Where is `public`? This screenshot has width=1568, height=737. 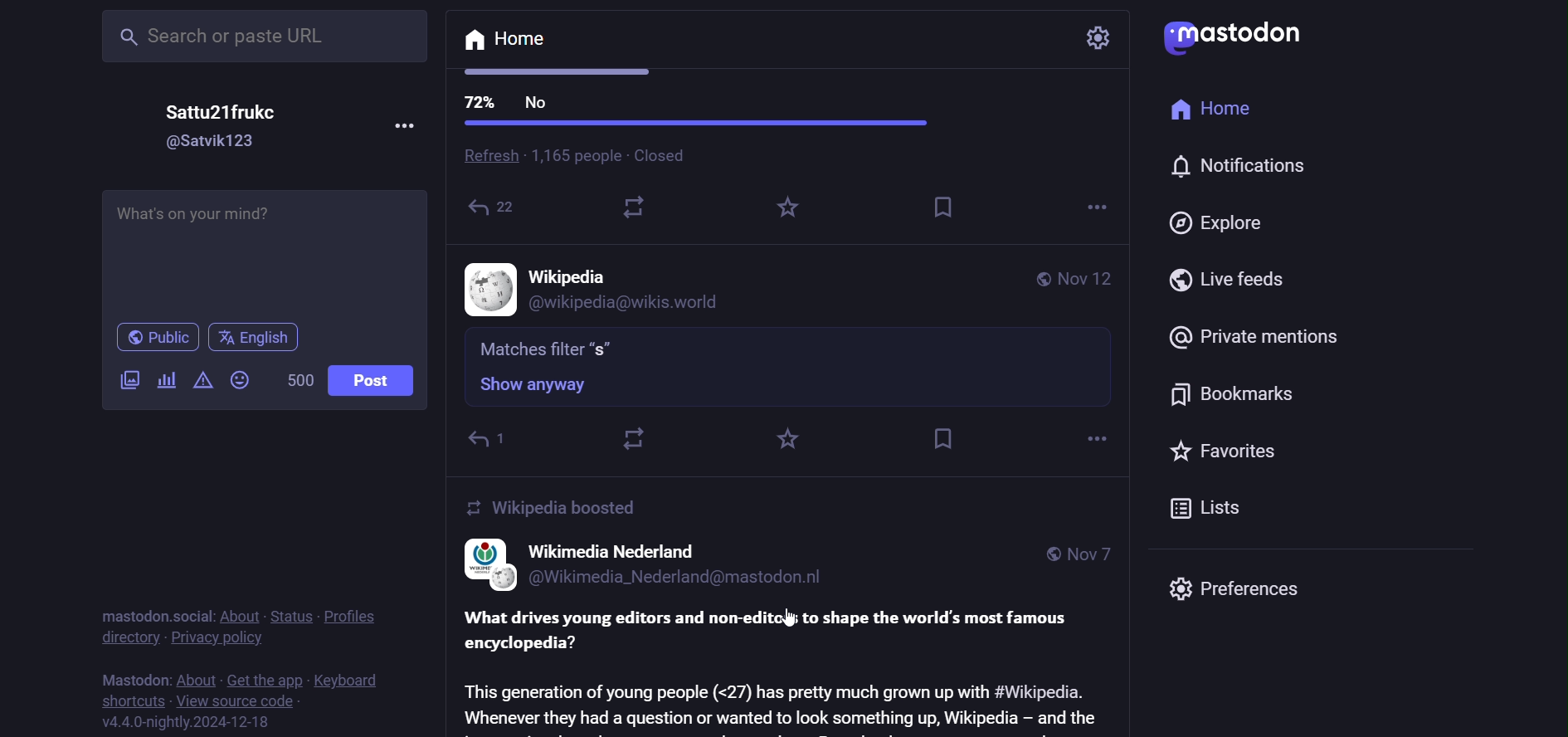
public is located at coordinates (156, 339).